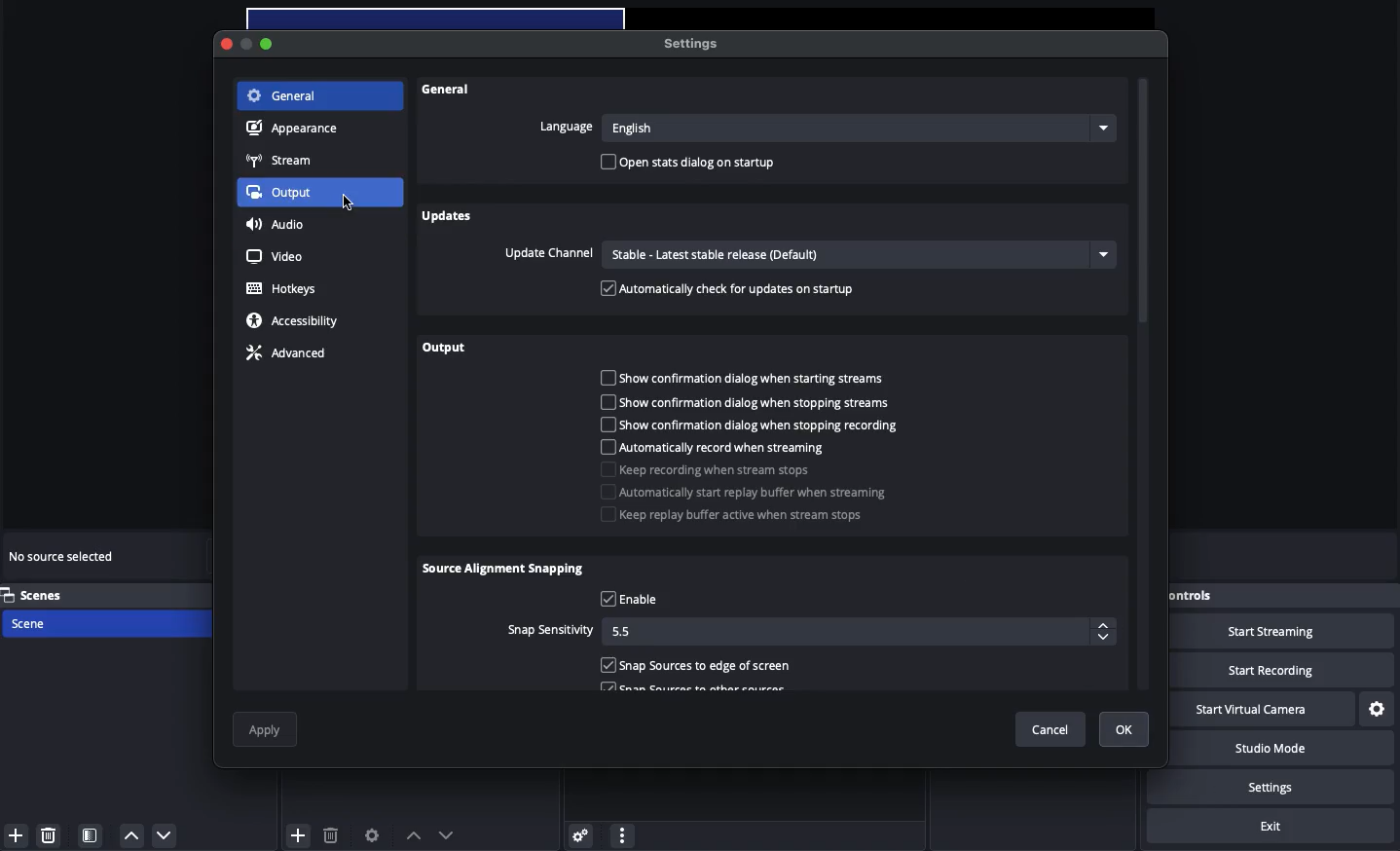 This screenshot has width=1400, height=851. I want to click on English, so click(859, 128).